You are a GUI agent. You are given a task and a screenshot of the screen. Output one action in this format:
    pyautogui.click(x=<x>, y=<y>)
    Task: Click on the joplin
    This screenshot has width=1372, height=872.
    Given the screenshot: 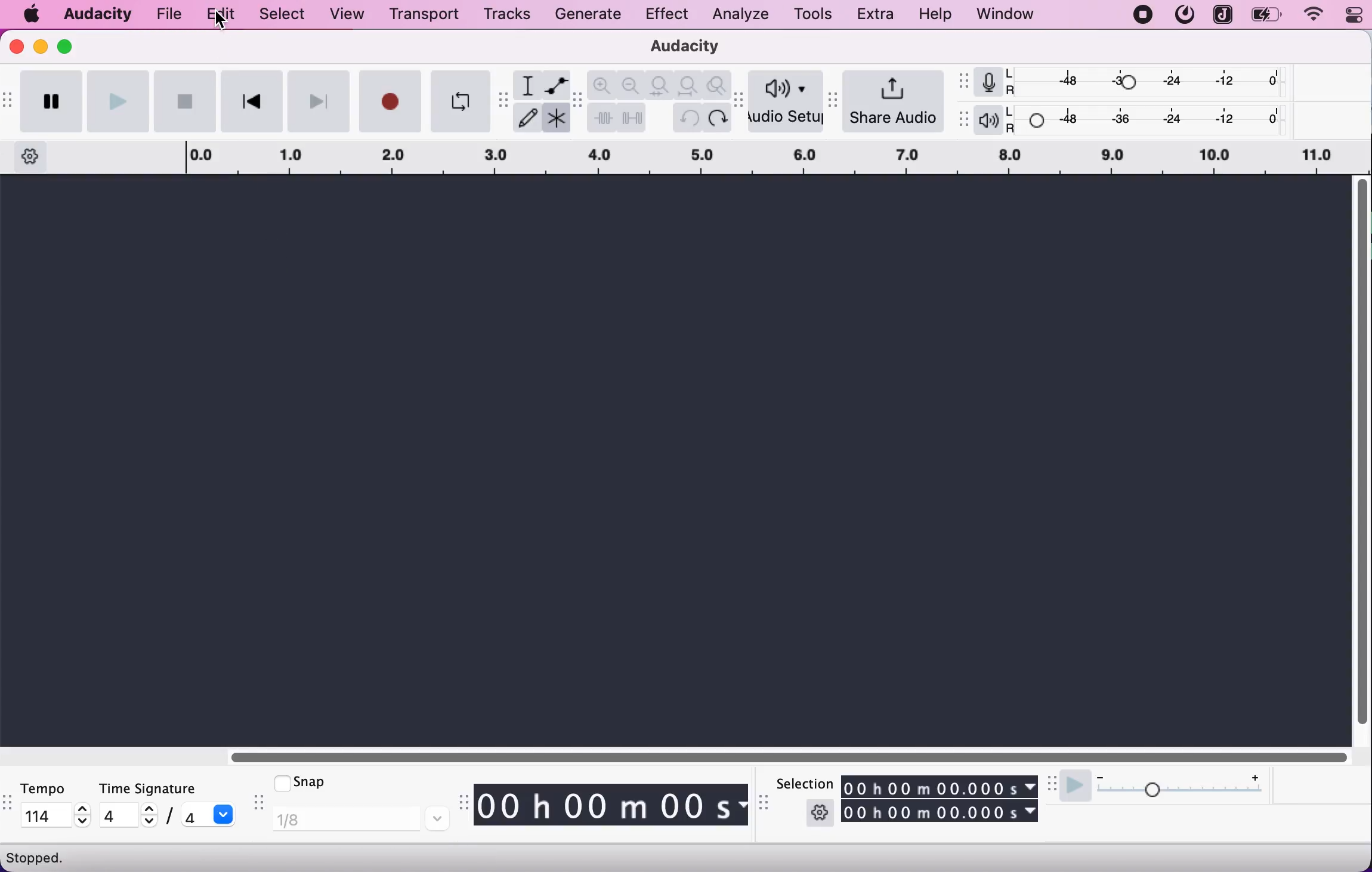 What is the action you would take?
    pyautogui.click(x=1222, y=14)
    